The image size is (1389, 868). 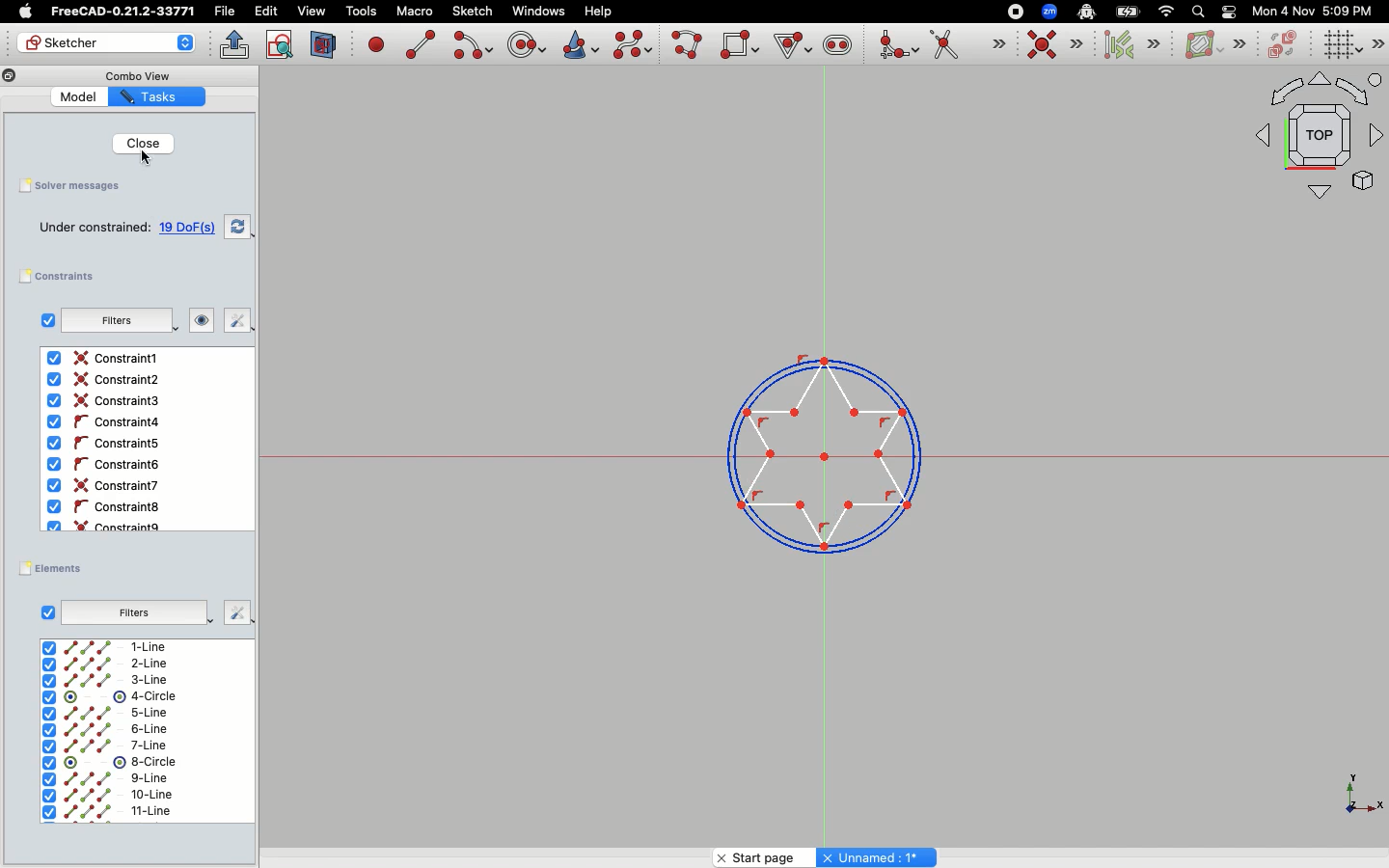 What do you see at coordinates (121, 762) in the screenshot?
I see `8-circle` at bounding box center [121, 762].